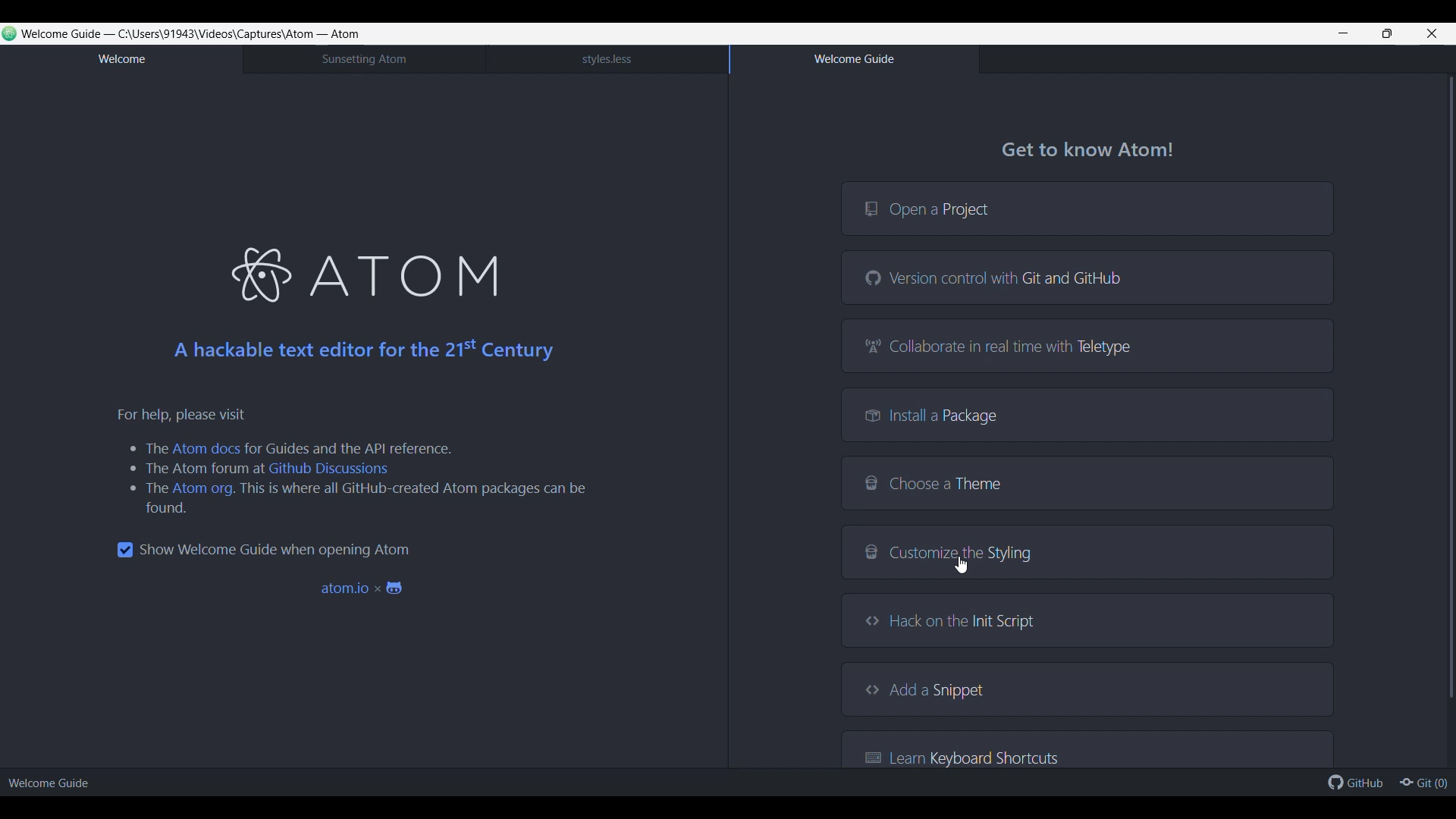 This screenshot has height=819, width=1456. I want to click on style.less tab, so click(607, 59).